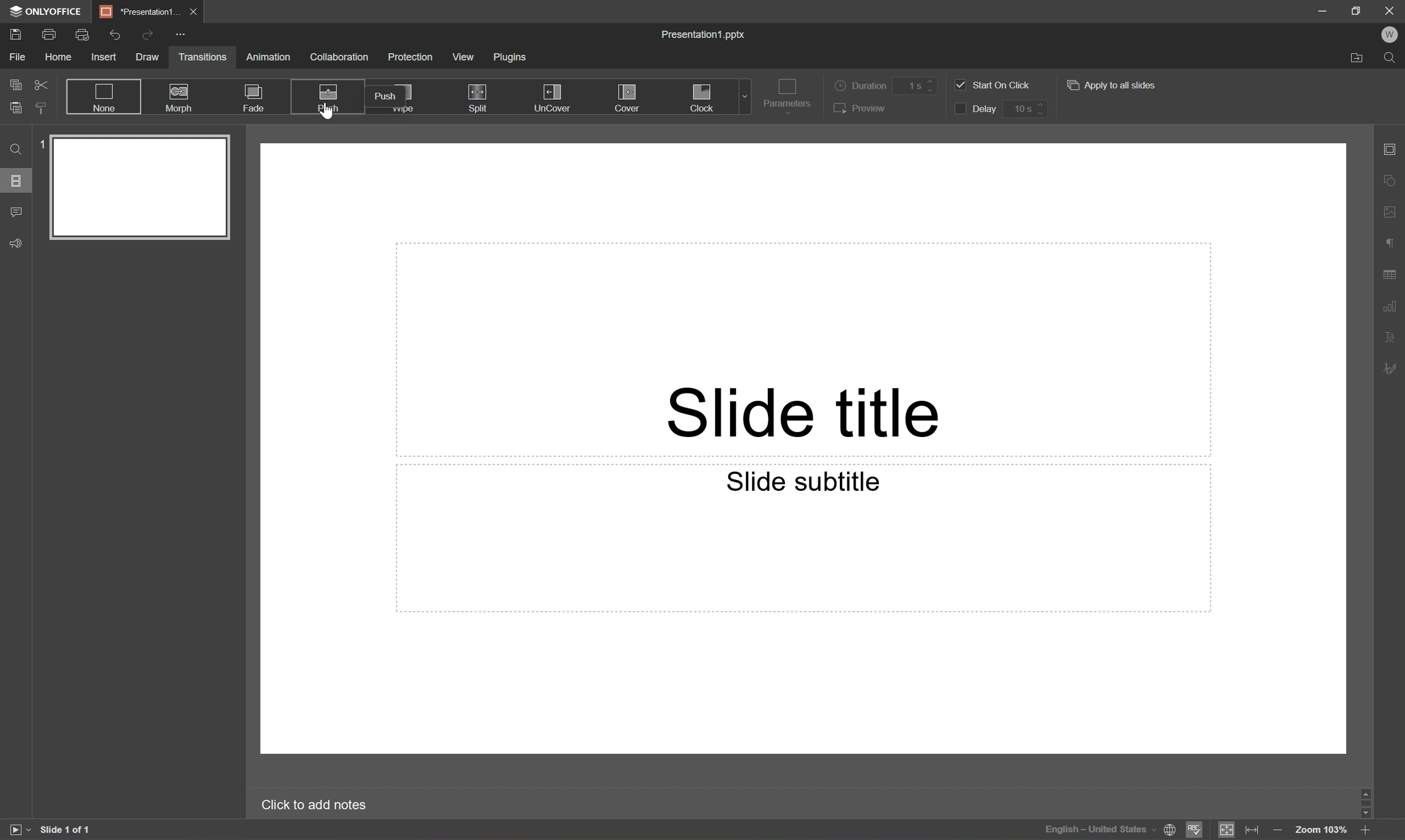 This screenshot has height=840, width=1405. What do you see at coordinates (103, 97) in the screenshot?
I see `None` at bounding box center [103, 97].